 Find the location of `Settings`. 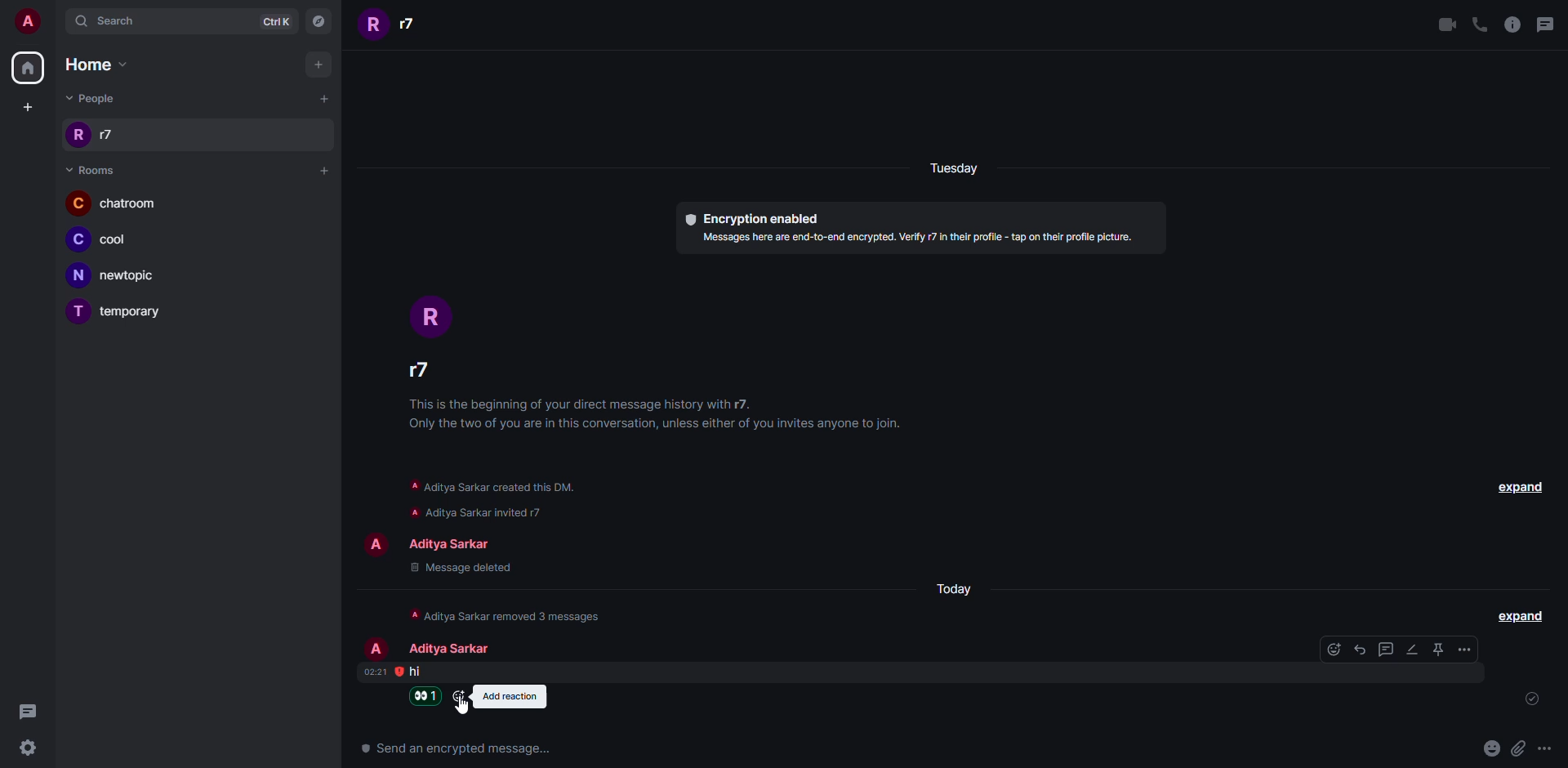

Settings is located at coordinates (33, 749).